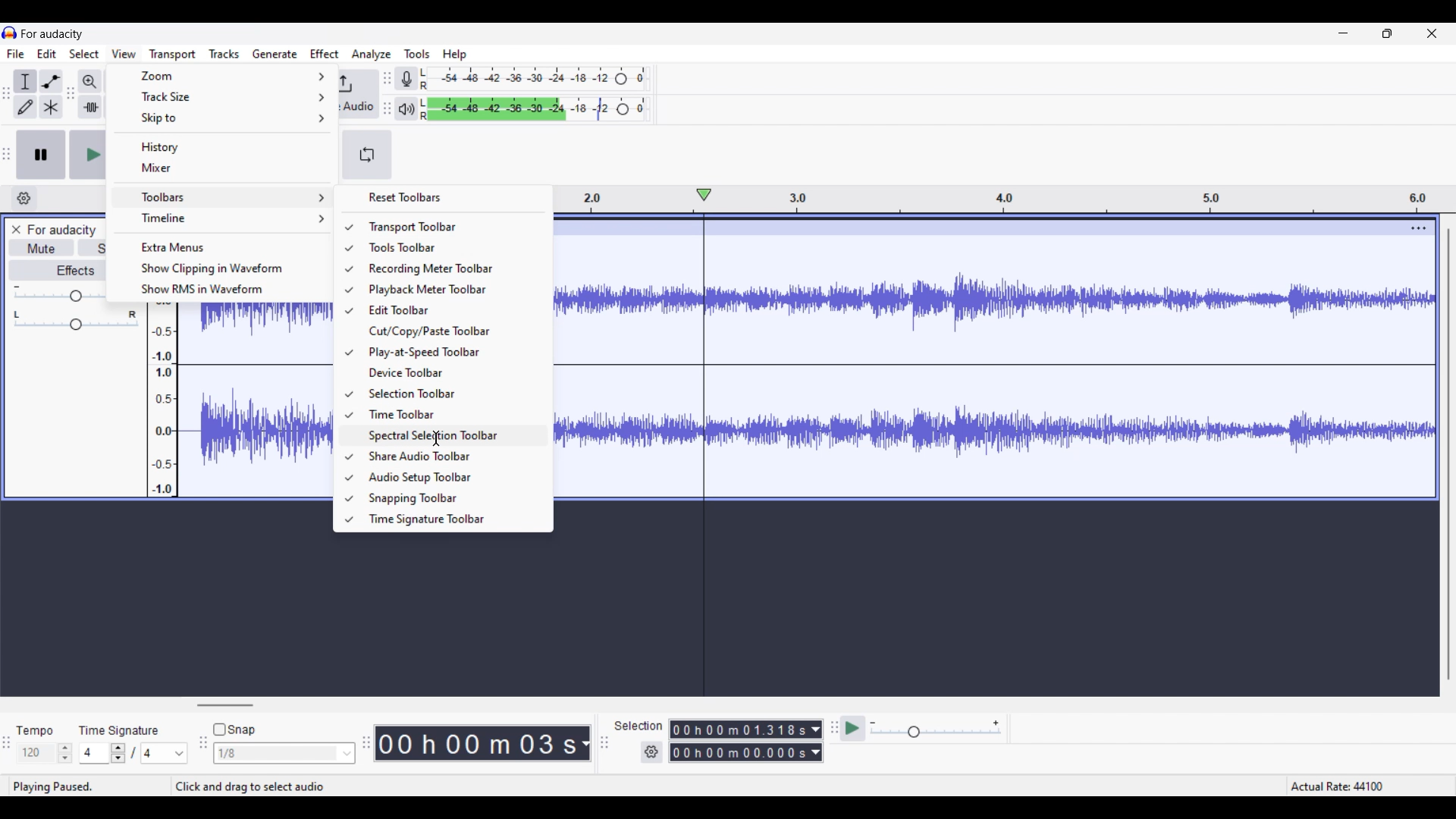  Describe the element at coordinates (51, 82) in the screenshot. I see `Envelop tool` at that location.